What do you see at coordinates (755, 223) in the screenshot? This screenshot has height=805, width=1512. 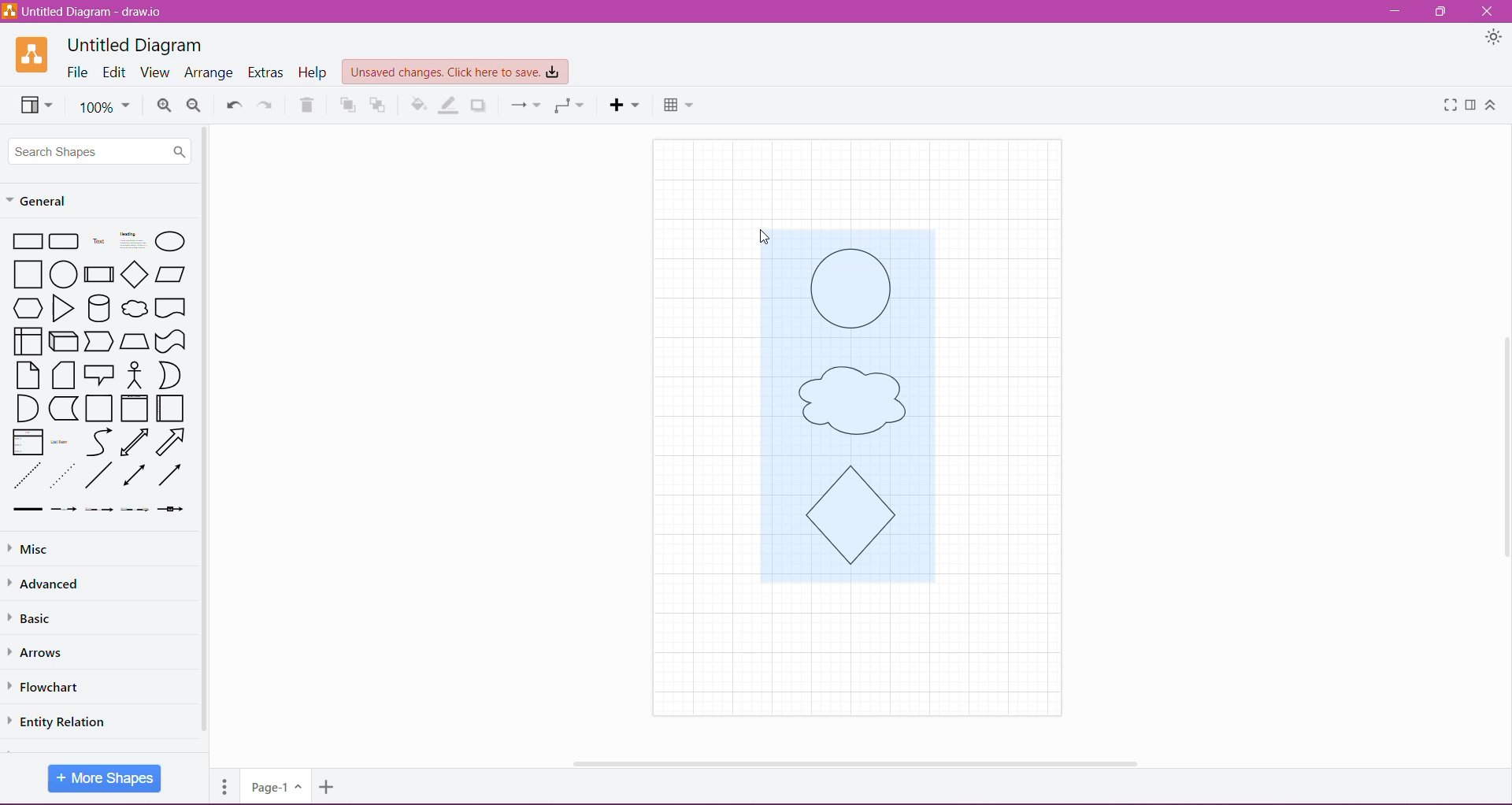 I see `Cursor` at bounding box center [755, 223].